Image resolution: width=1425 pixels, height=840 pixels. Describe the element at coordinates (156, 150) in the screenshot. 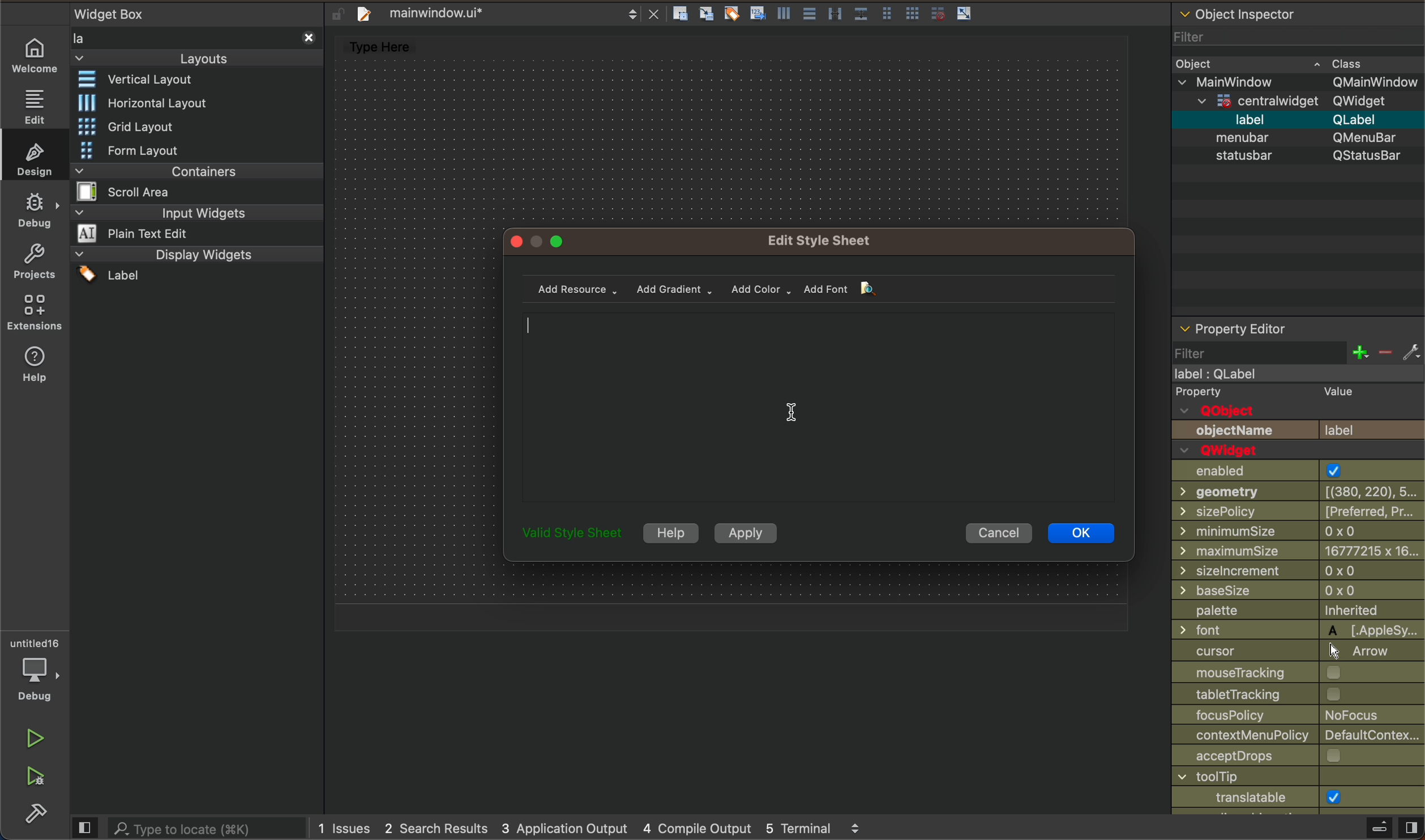

I see `form layout` at that location.